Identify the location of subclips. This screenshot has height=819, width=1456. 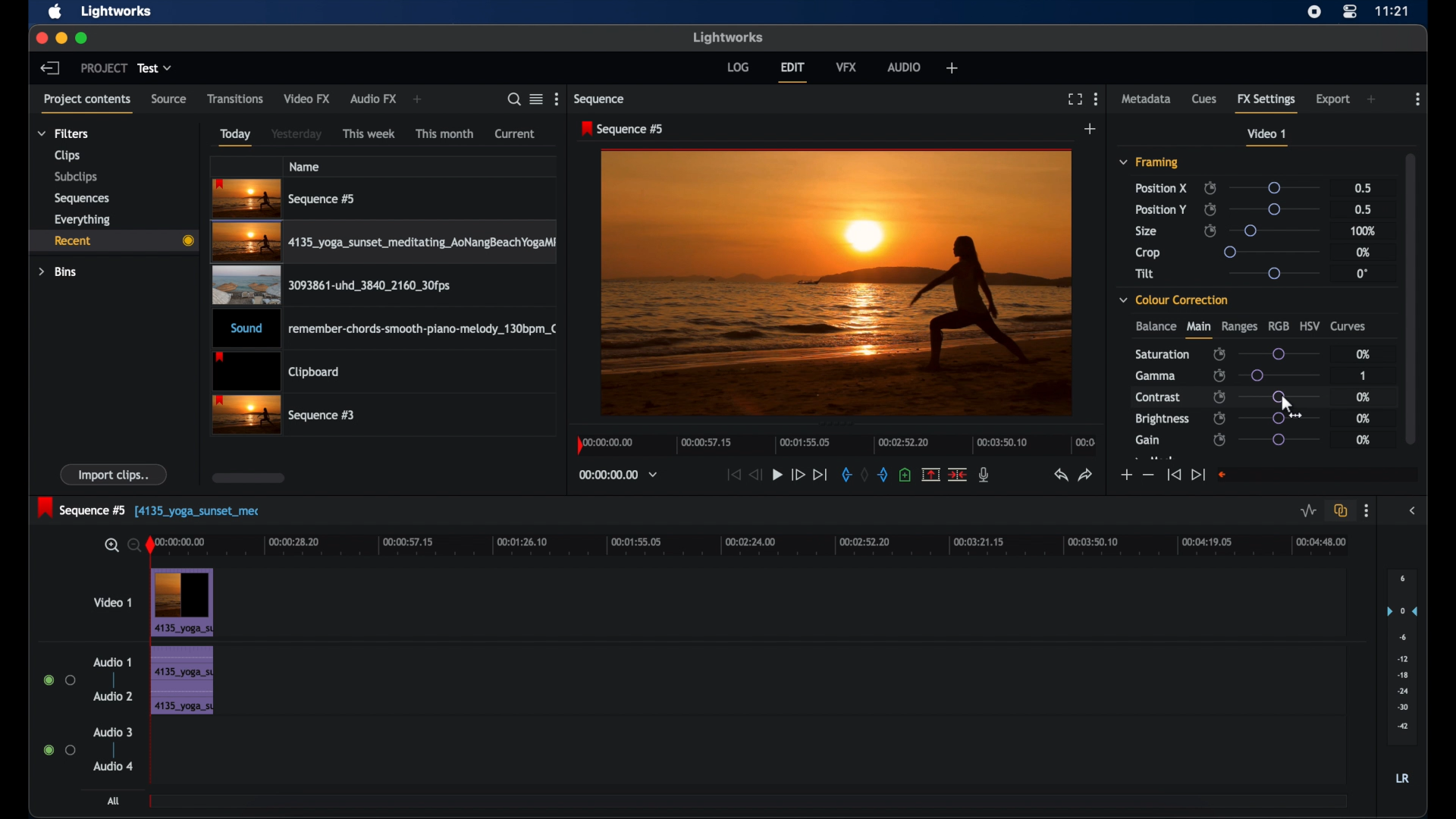
(77, 177).